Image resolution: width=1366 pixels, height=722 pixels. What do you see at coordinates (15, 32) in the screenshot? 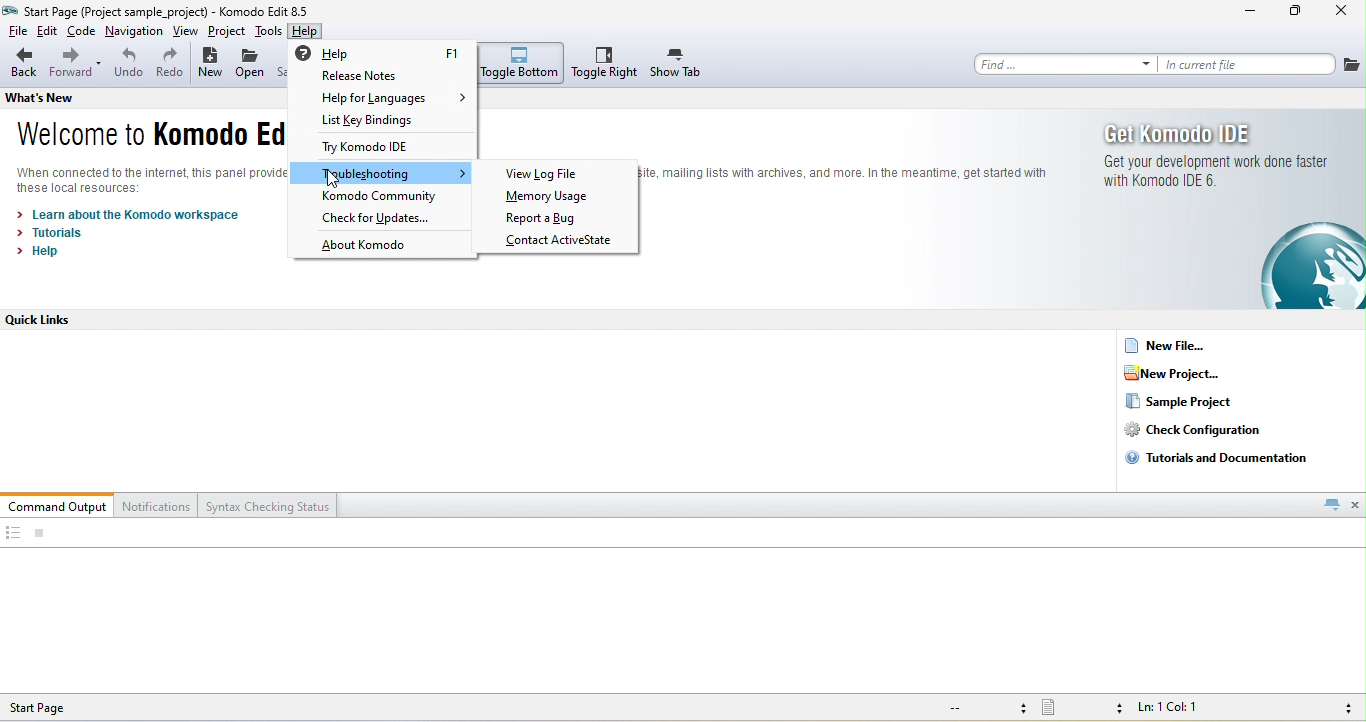
I see `file` at bounding box center [15, 32].